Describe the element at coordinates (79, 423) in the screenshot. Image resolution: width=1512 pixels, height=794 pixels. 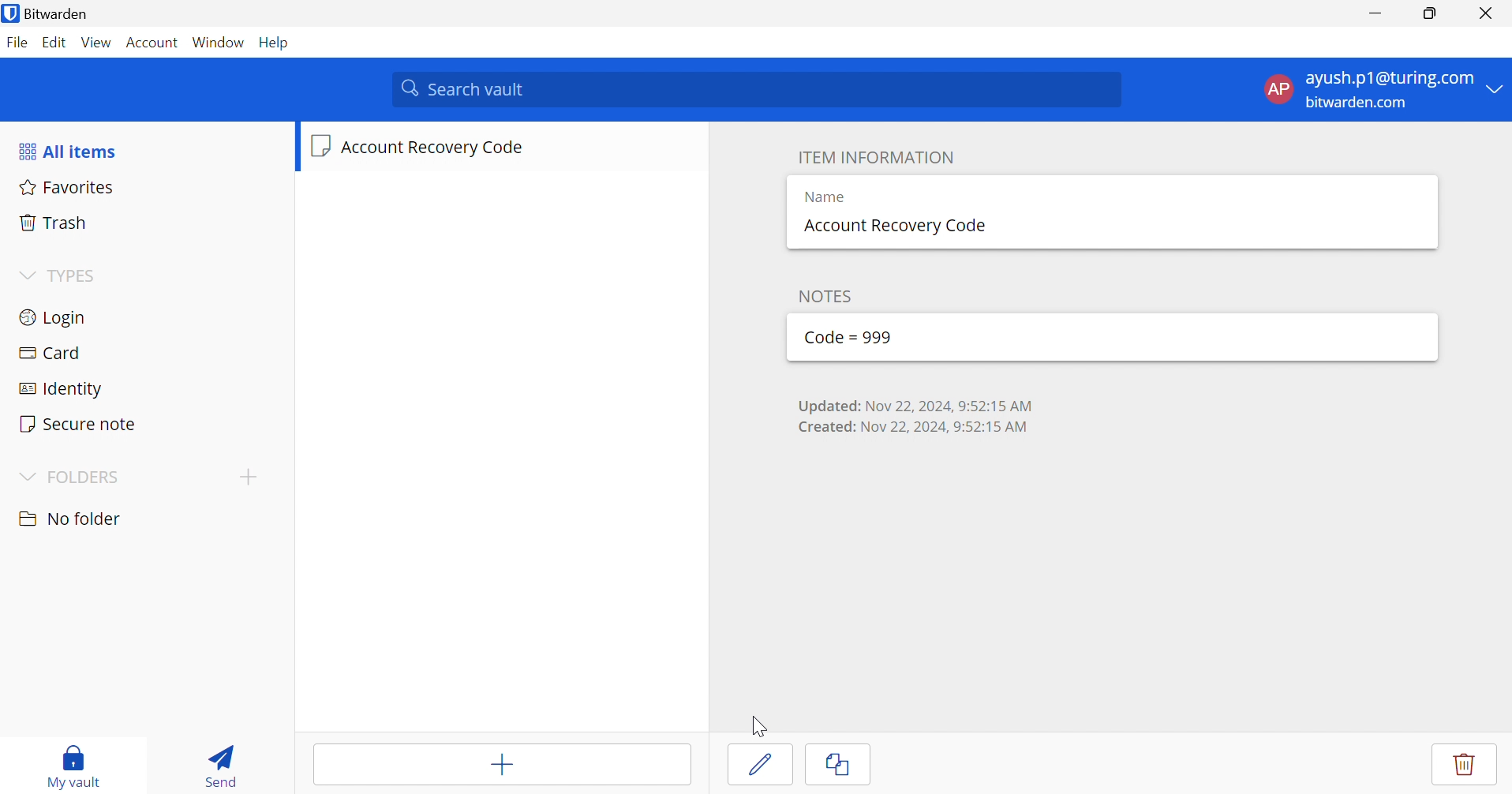
I see `Secure note` at that location.